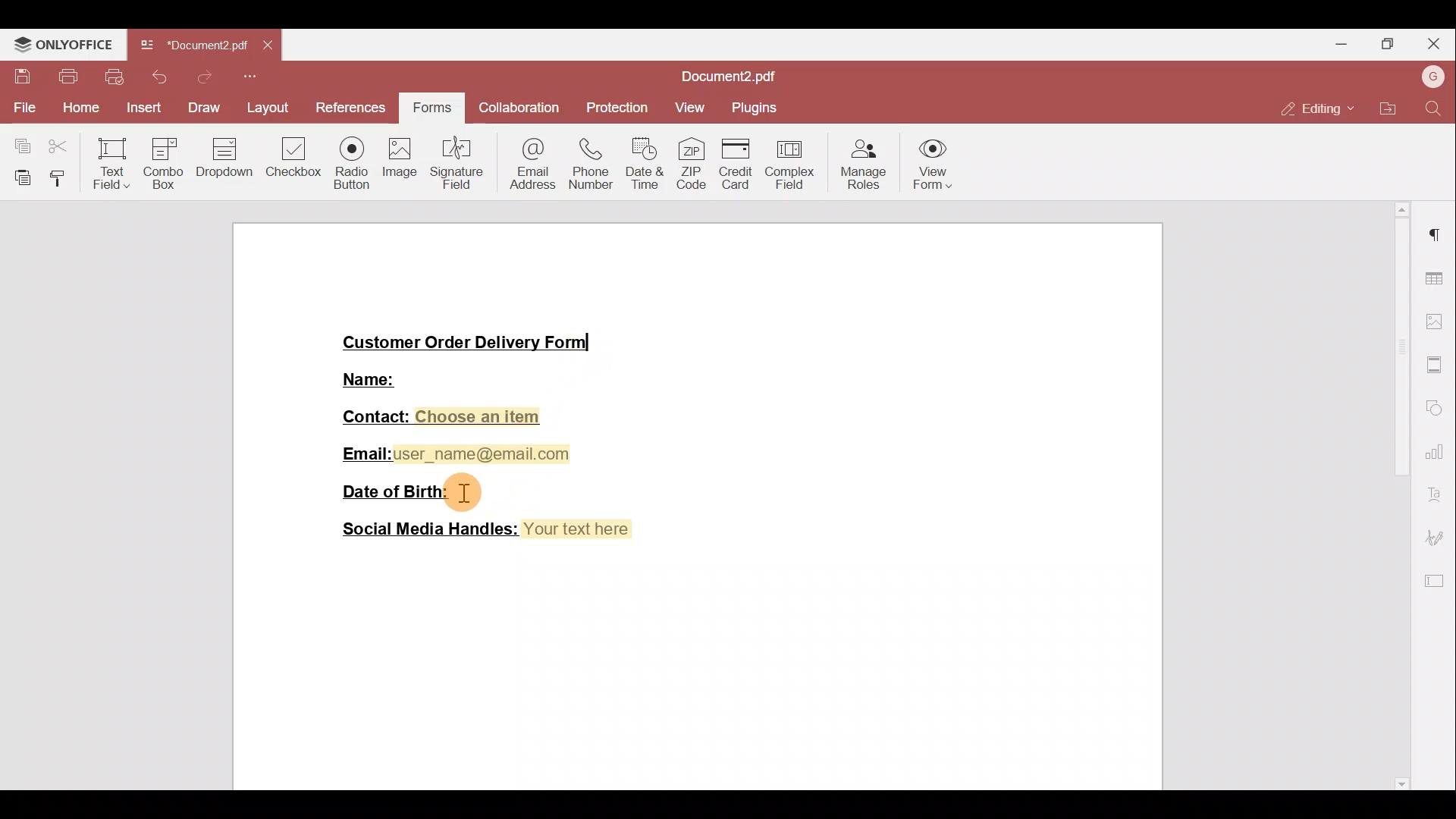 Image resolution: width=1456 pixels, height=819 pixels. Describe the element at coordinates (1341, 46) in the screenshot. I see `Minimise` at that location.